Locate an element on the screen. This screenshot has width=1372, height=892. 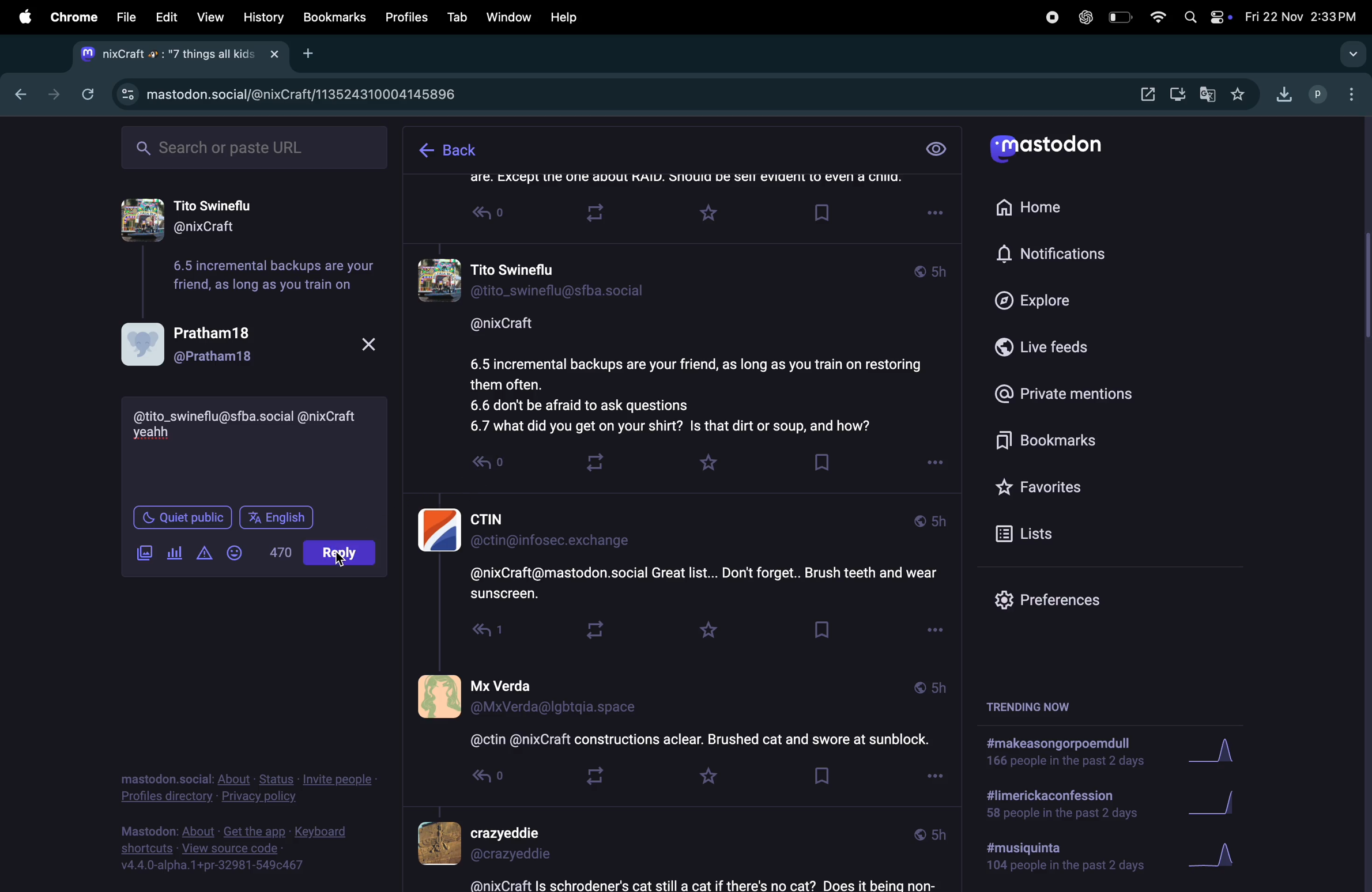
quiet public is located at coordinates (184, 516).